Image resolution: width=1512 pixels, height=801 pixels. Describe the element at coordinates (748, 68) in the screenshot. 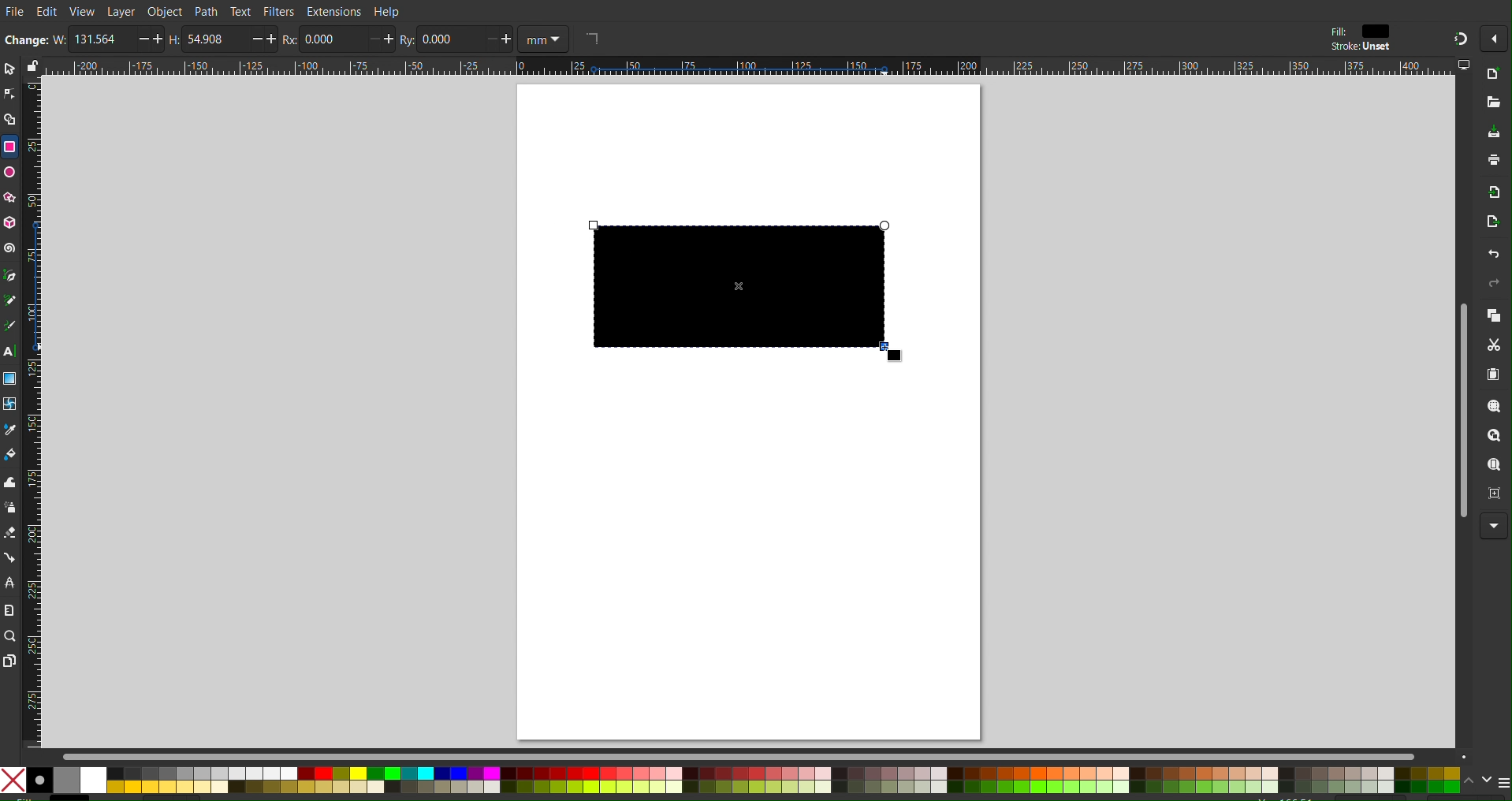

I see `Horizontal Ruler` at that location.